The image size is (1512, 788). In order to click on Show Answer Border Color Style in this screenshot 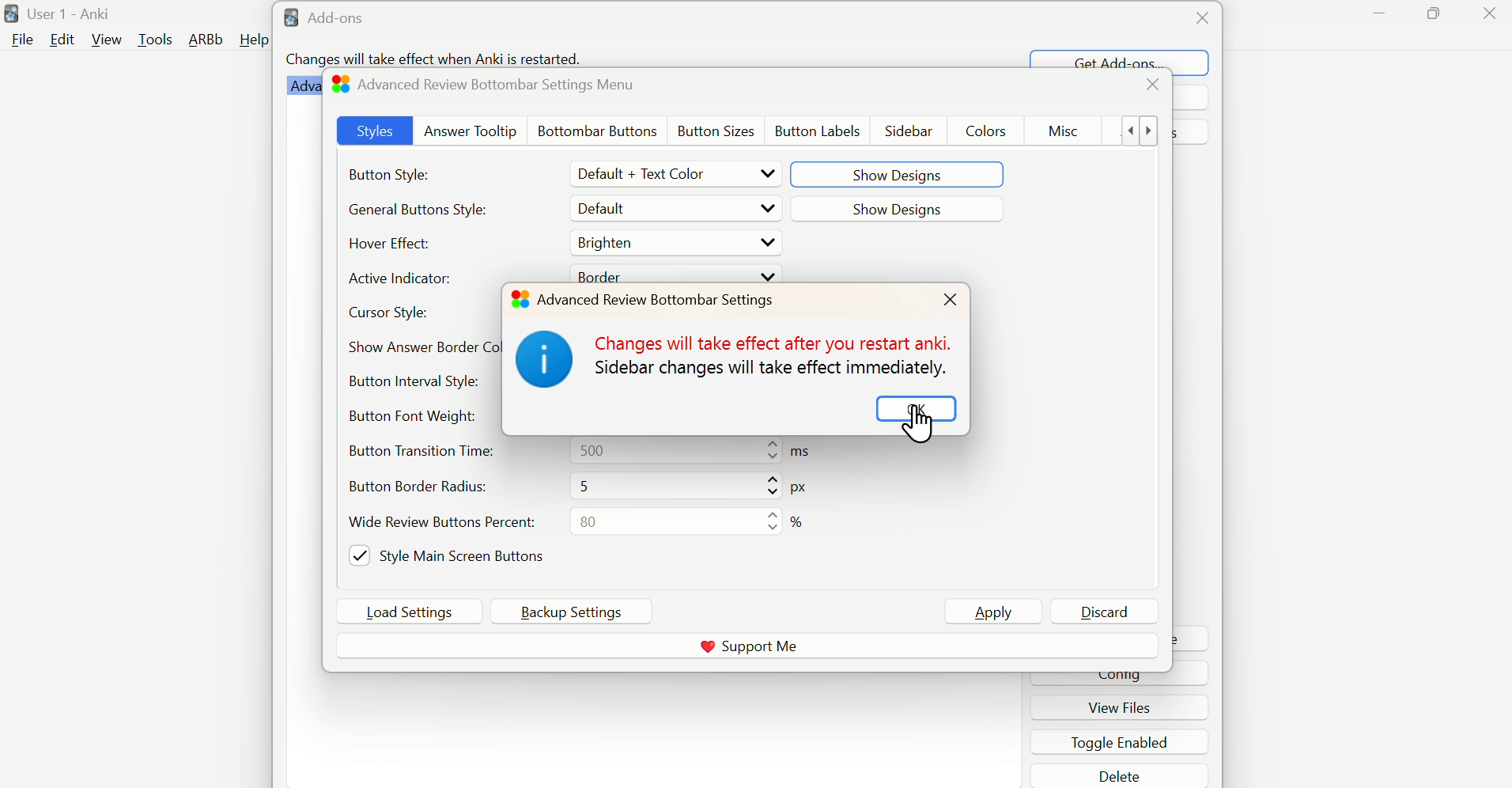, I will do `click(420, 348)`.